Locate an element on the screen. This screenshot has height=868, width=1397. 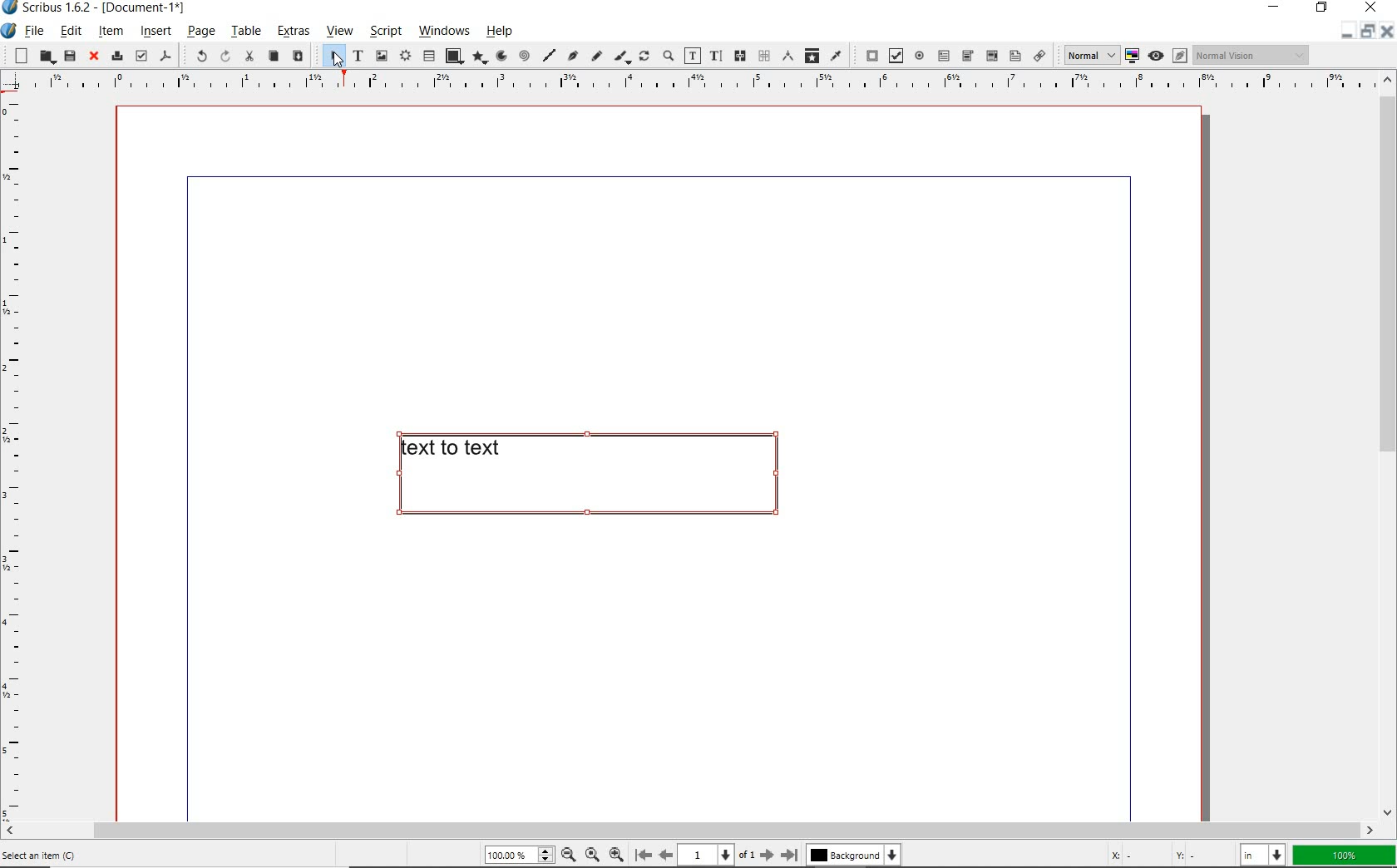
preflight verifier is located at coordinates (141, 57).